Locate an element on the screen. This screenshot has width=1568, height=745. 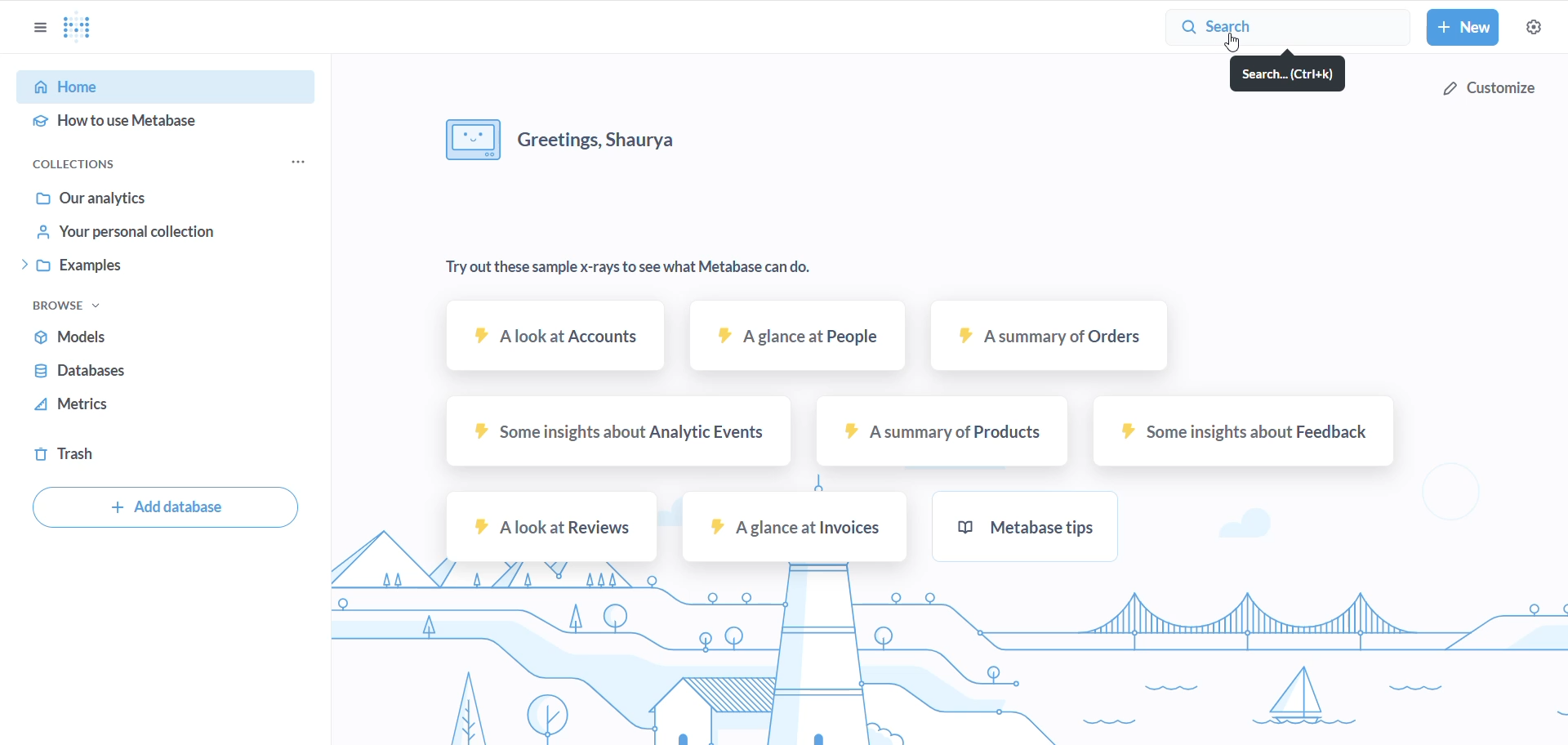
your personal collection is located at coordinates (146, 236).